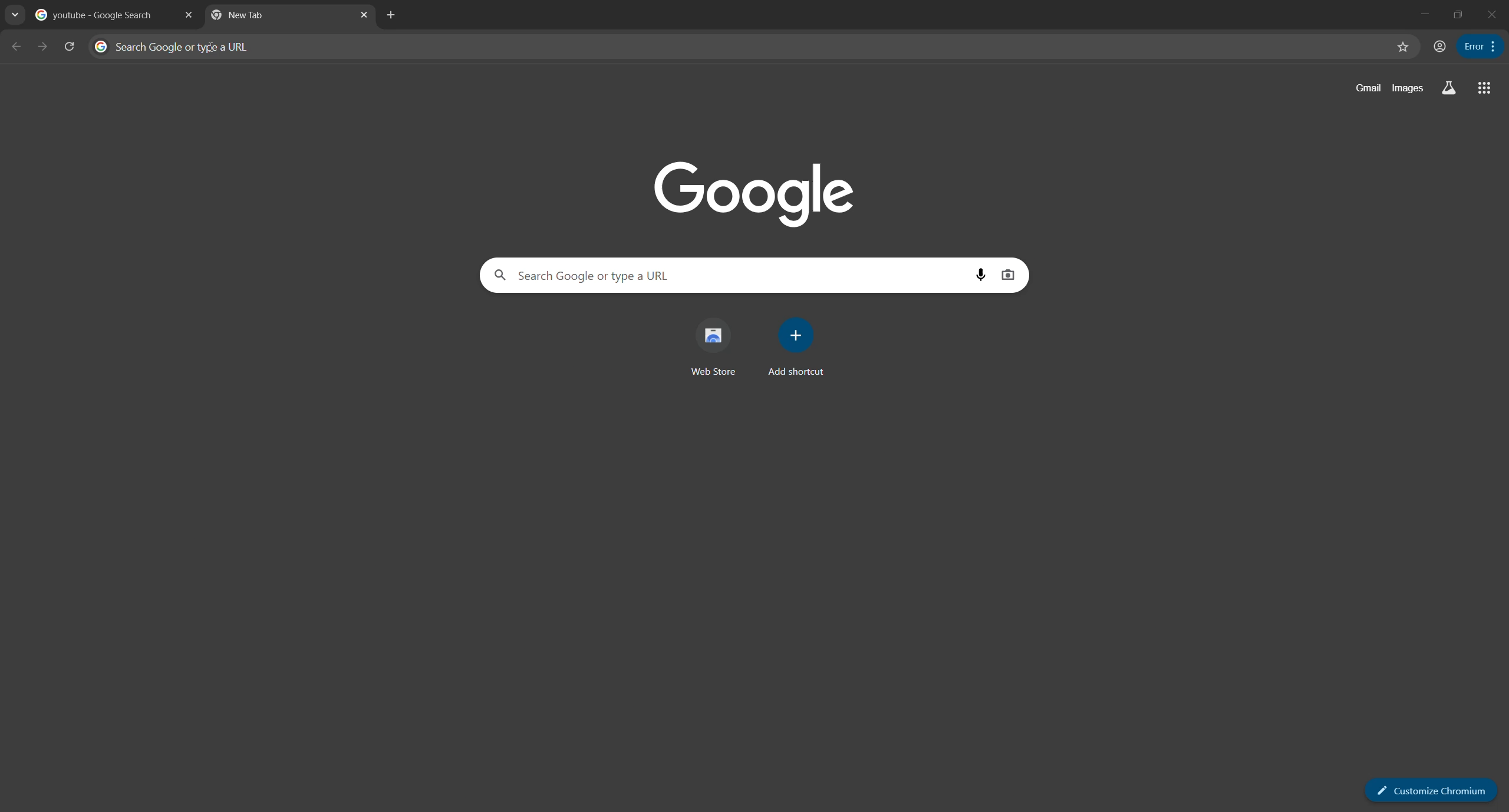 The image size is (1509, 812). What do you see at coordinates (982, 275) in the screenshot?
I see `search by voice` at bounding box center [982, 275].